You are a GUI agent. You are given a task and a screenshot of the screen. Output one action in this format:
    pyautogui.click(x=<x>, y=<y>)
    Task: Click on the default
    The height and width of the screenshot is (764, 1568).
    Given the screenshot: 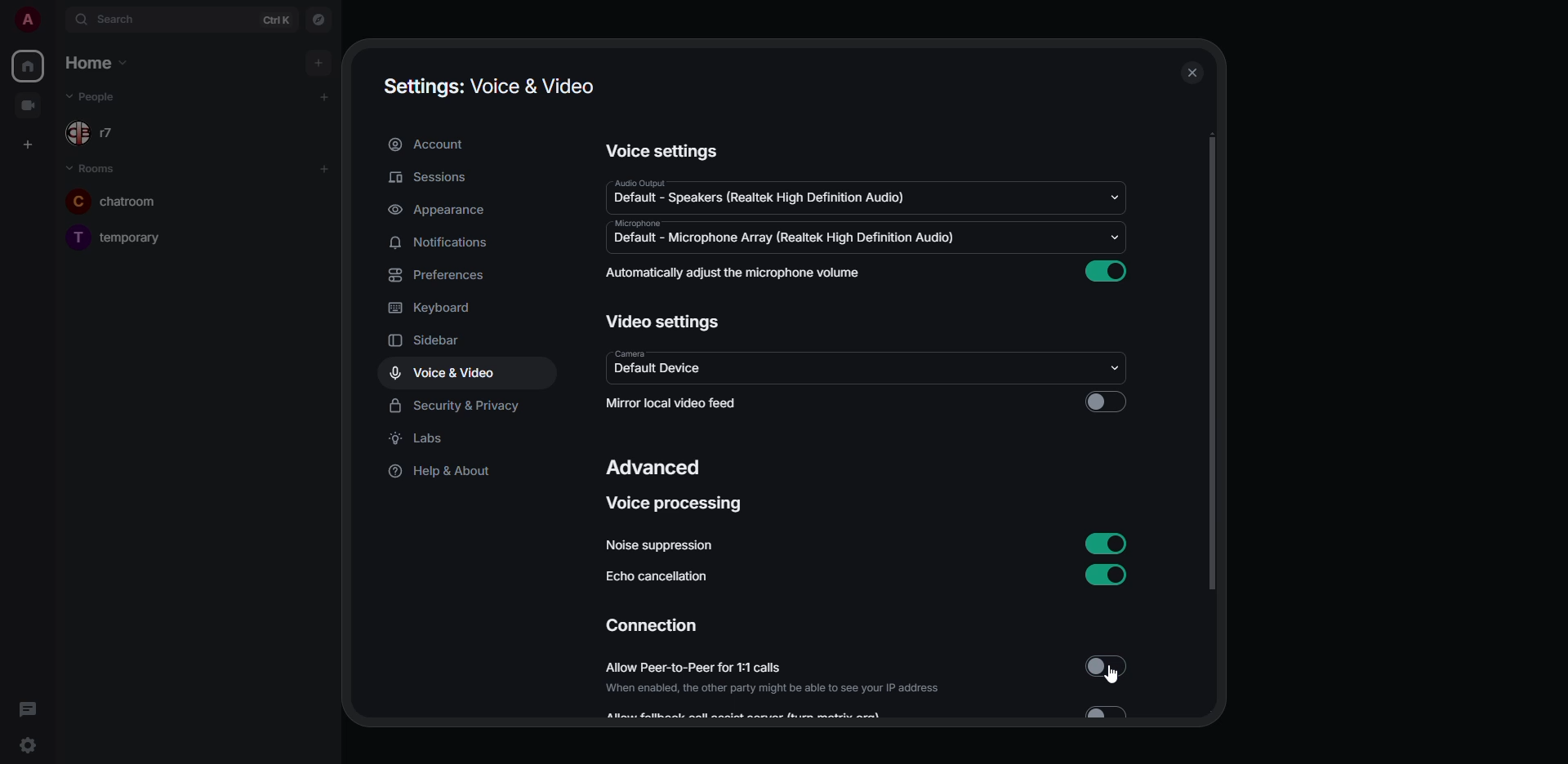 What is the action you would take?
    pyautogui.click(x=789, y=238)
    